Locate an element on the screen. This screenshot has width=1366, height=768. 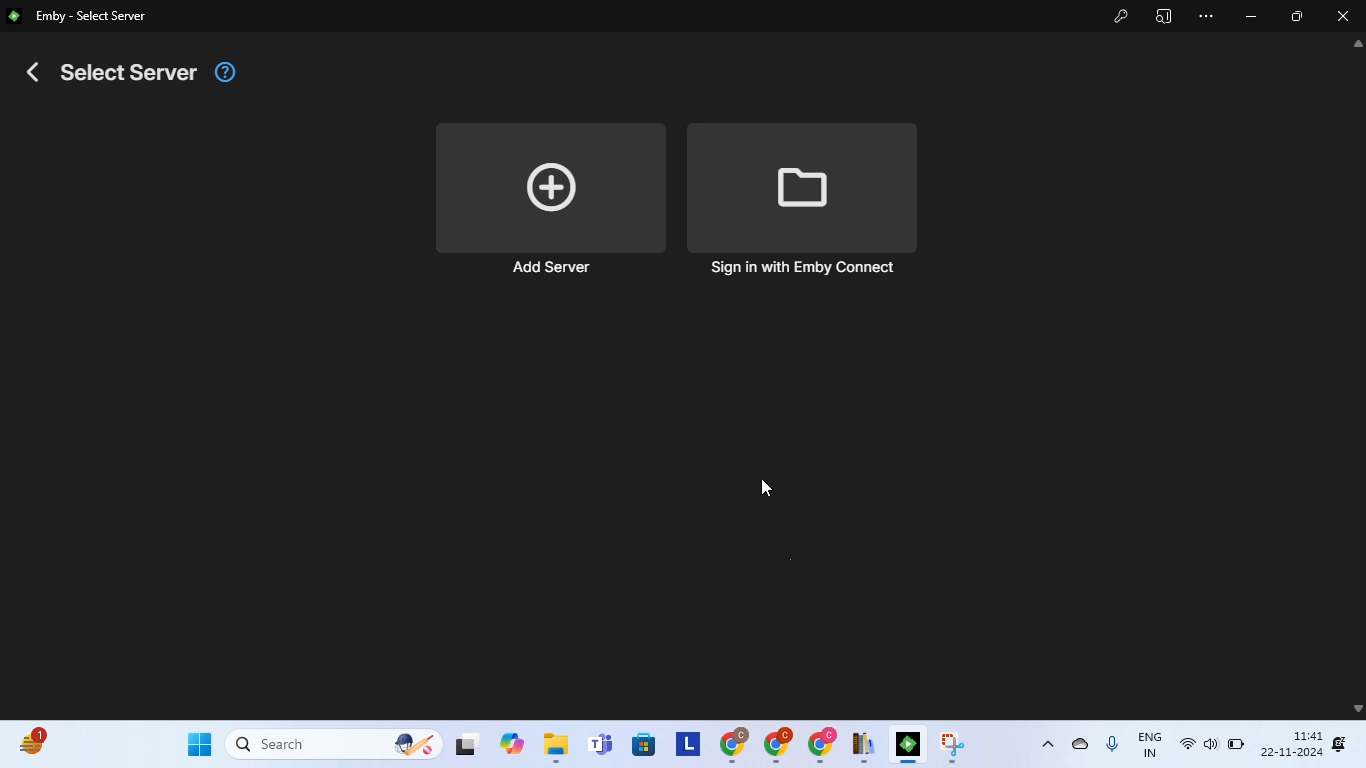
cursor is located at coordinates (765, 488).